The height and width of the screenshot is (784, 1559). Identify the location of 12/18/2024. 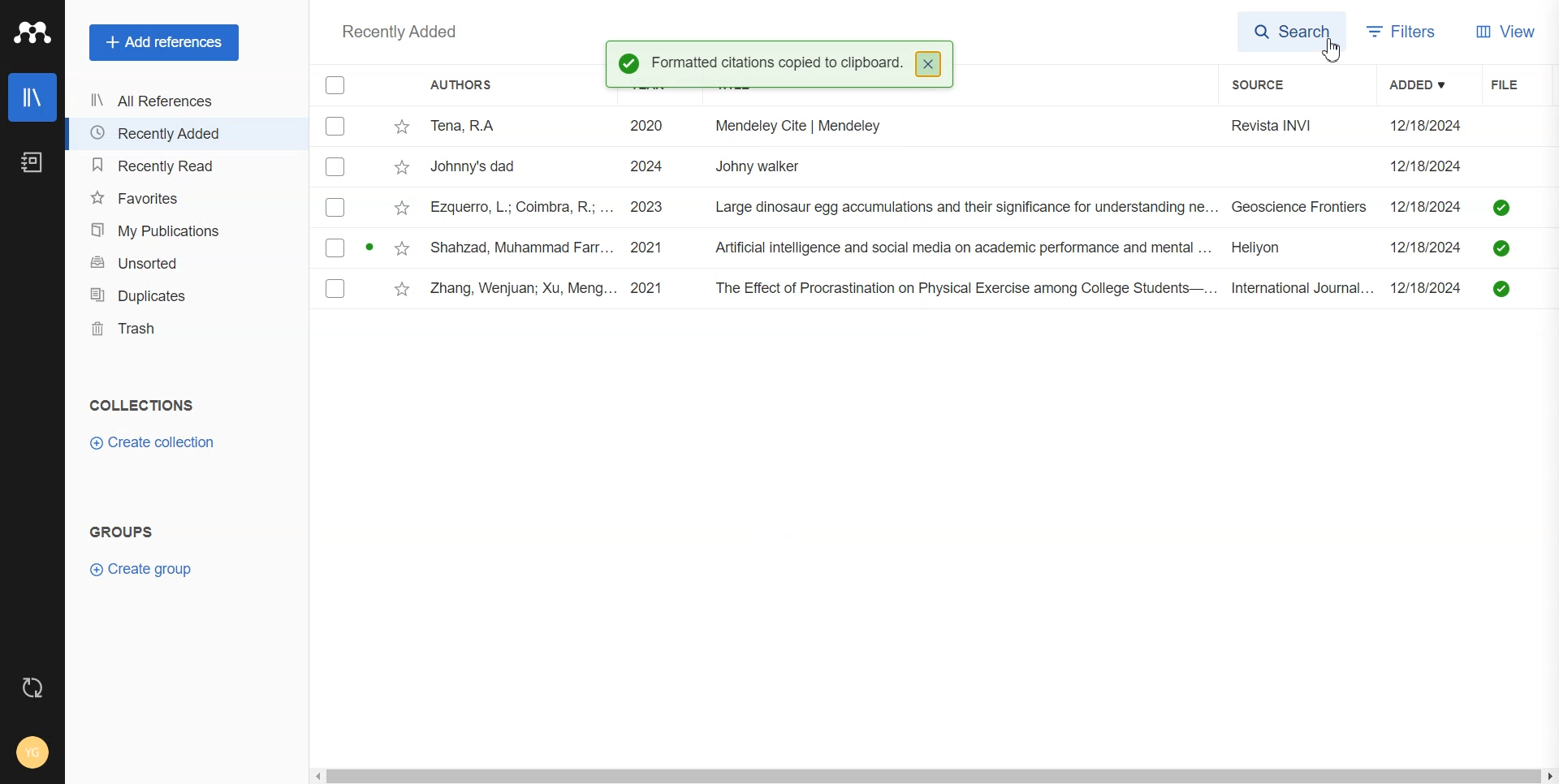
(1432, 205).